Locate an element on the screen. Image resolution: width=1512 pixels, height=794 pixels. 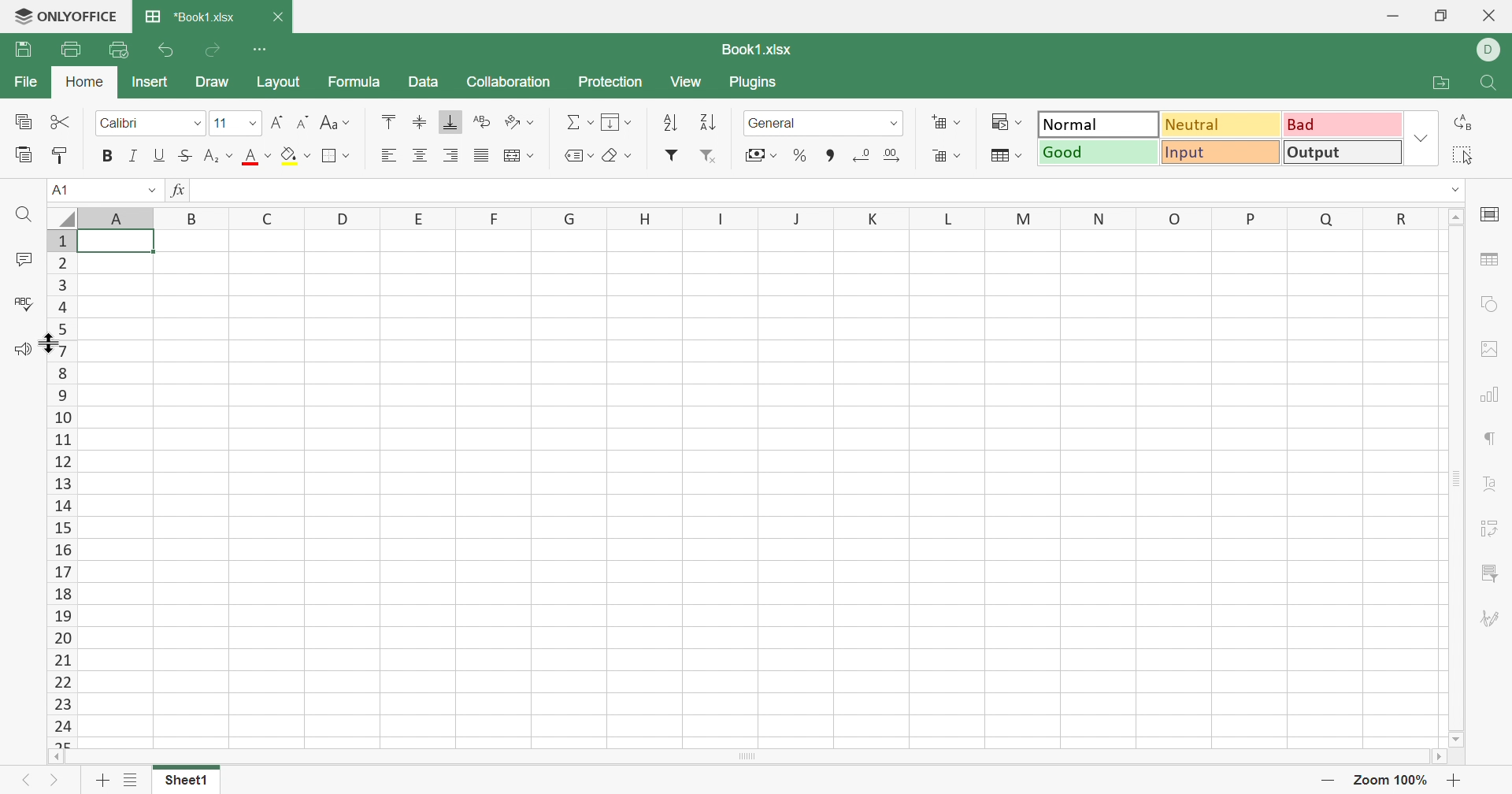
Cursor is located at coordinates (49, 345).